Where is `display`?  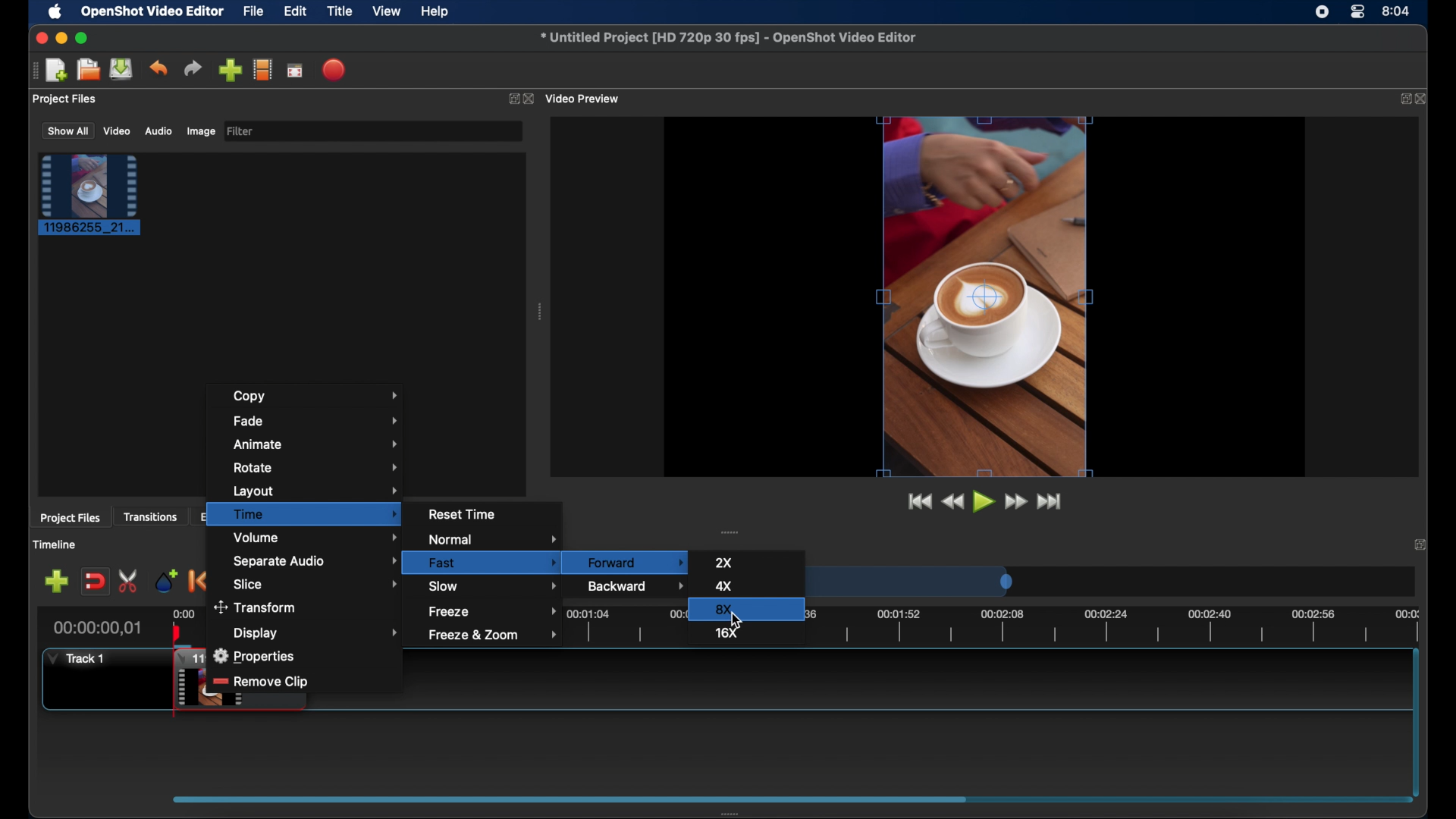 display is located at coordinates (318, 632).